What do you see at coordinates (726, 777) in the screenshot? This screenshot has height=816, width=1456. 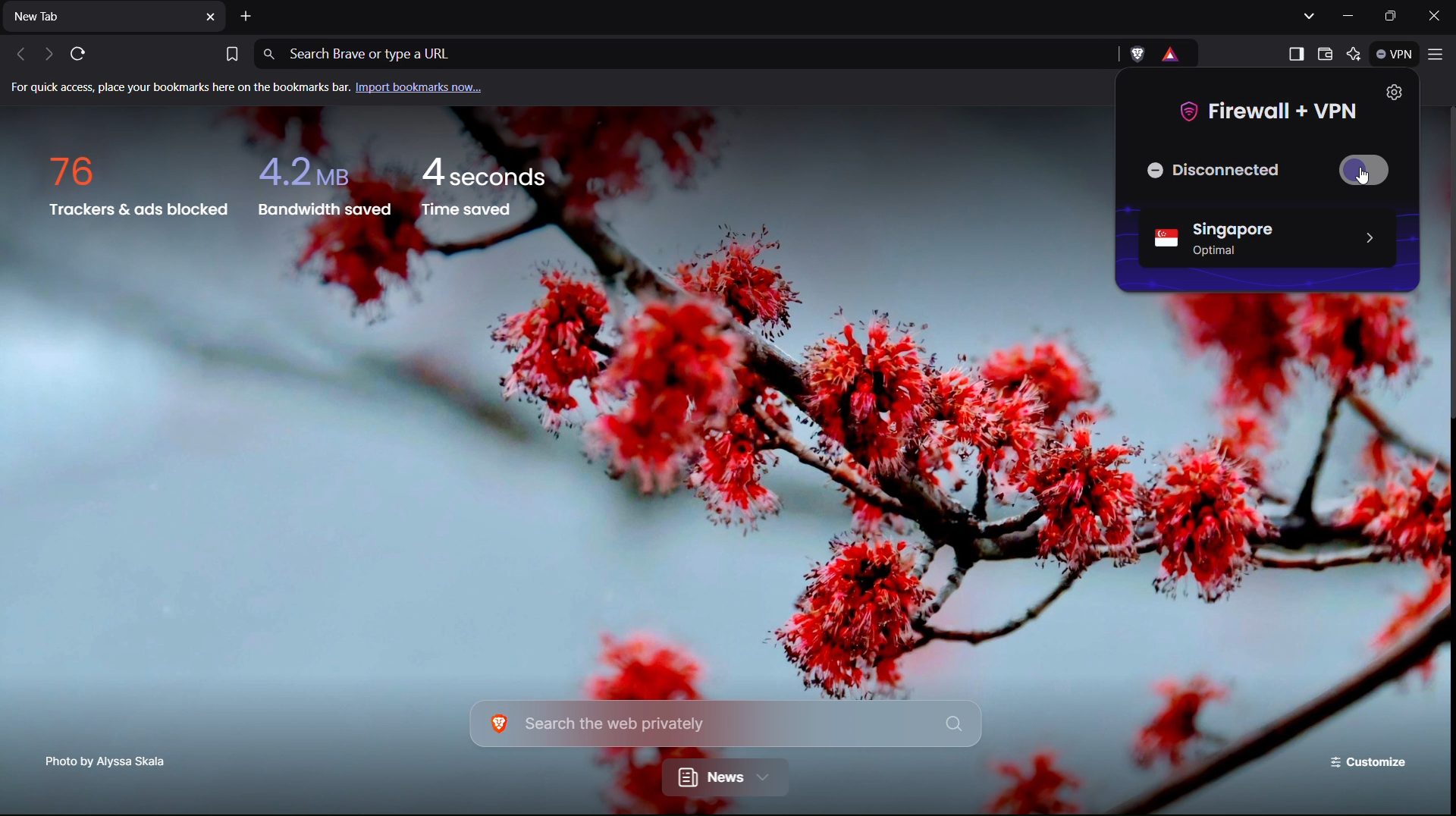 I see `News` at bounding box center [726, 777].